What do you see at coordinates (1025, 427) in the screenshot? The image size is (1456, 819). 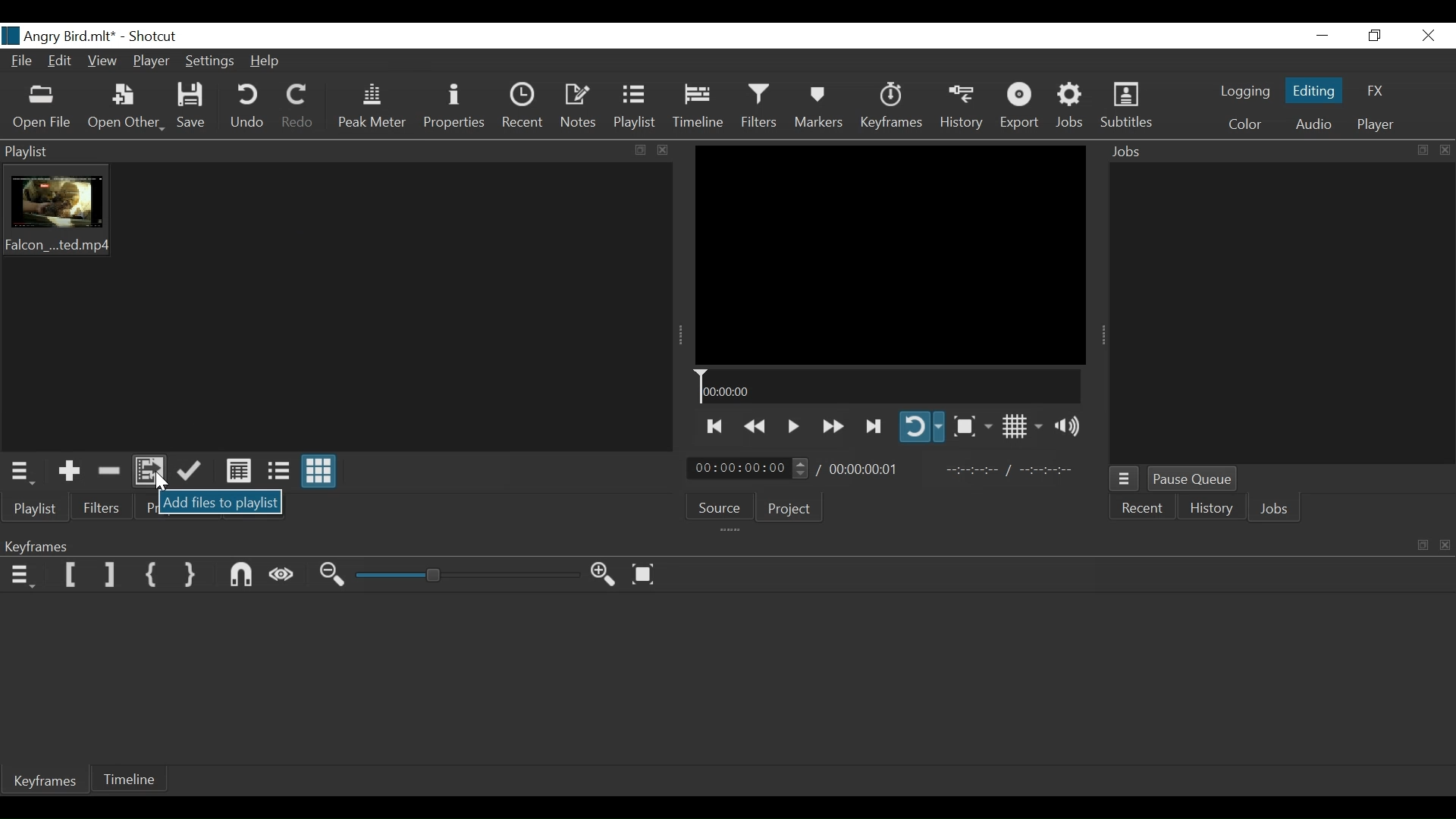 I see `Toggle display grid on player` at bounding box center [1025, 427].